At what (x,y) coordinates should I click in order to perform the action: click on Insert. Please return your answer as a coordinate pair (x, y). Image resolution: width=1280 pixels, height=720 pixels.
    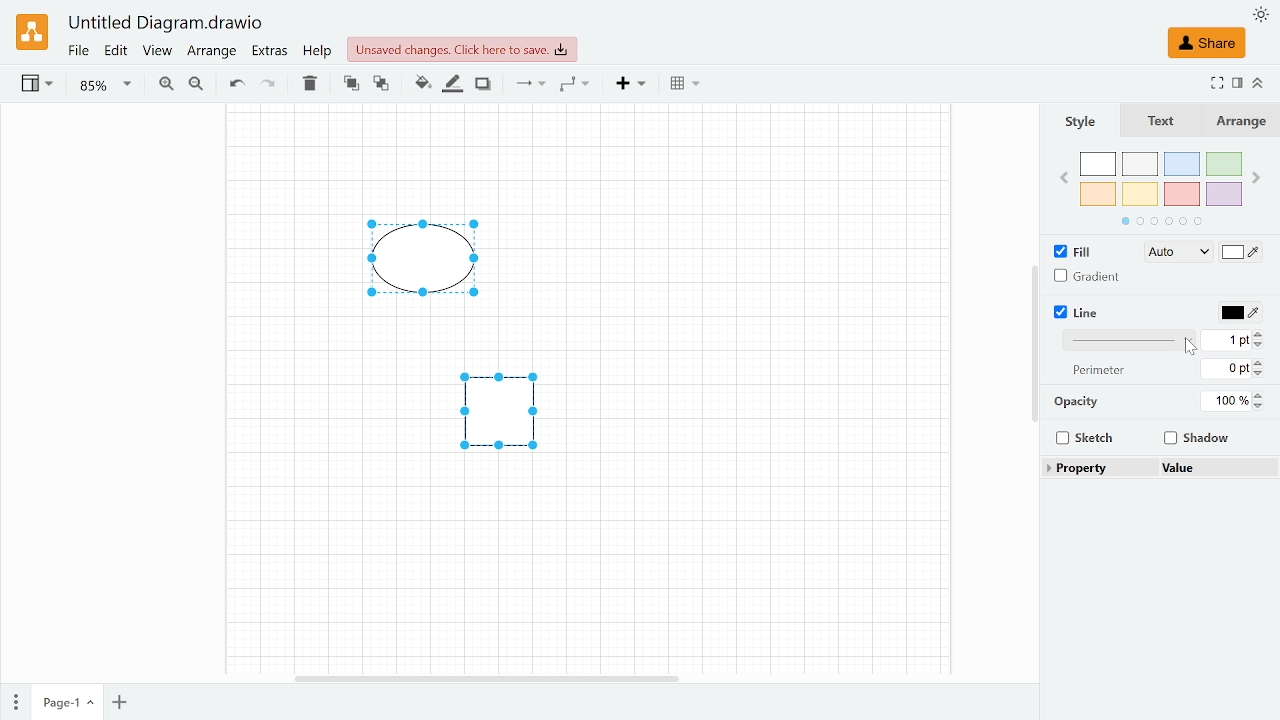
    Looking at the image, I should click on (632, 84).